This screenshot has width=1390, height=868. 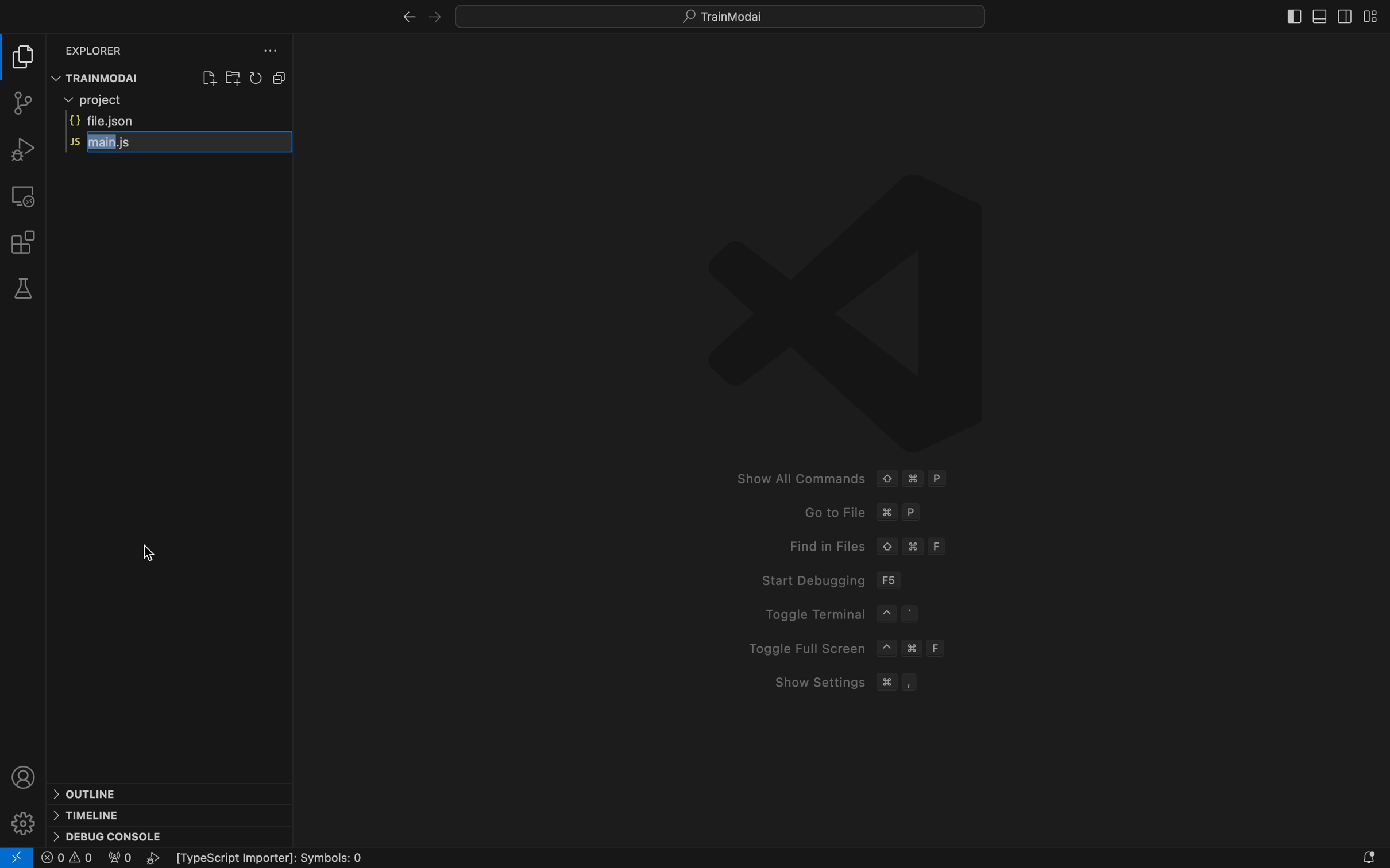 I want to click on outline, so click(x=82, y=793).